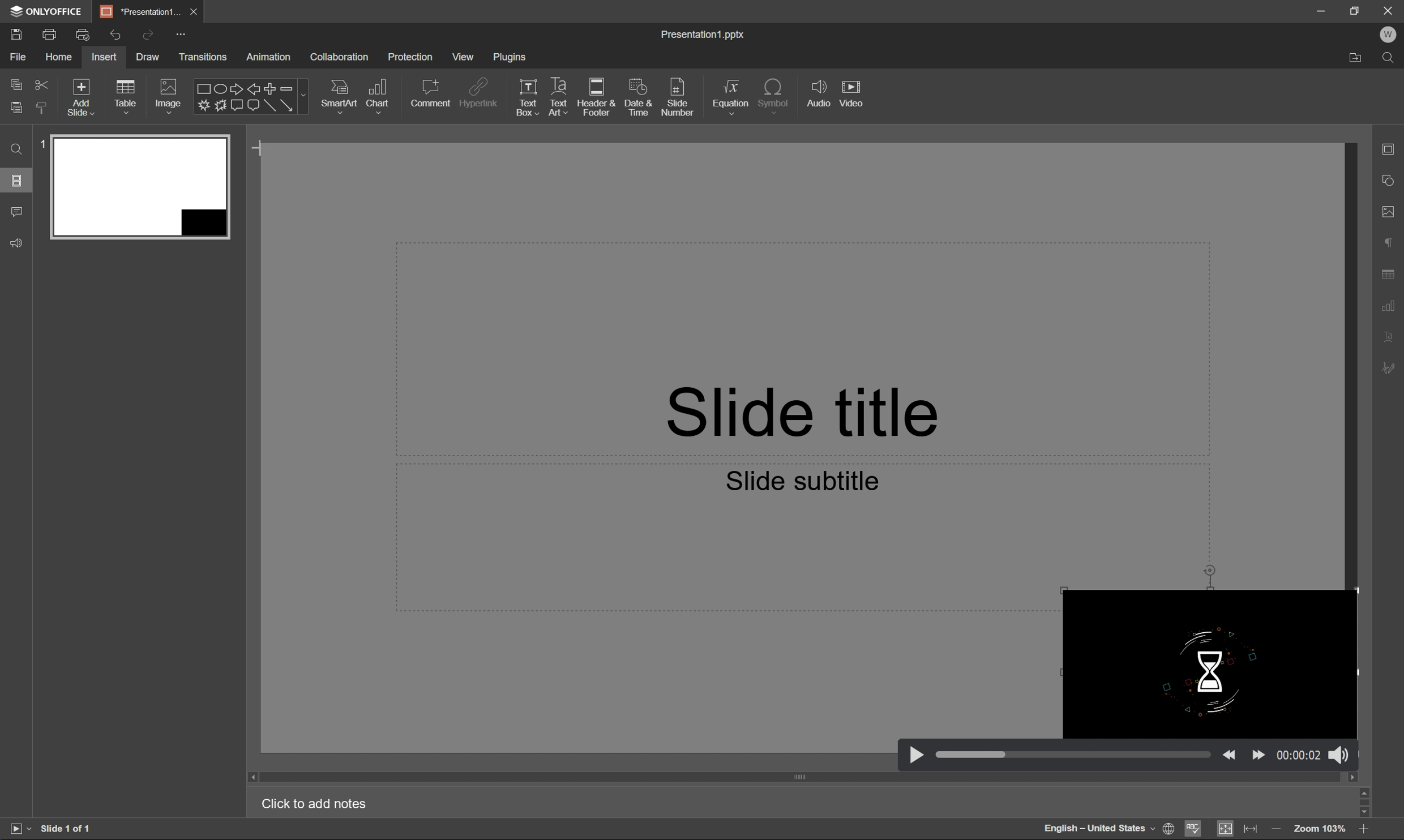 The height and width of the screenshot is (840, 1404). Describe the element at coordinates (1367, 802) in the screenshot. I see `scroll bar` at that location.